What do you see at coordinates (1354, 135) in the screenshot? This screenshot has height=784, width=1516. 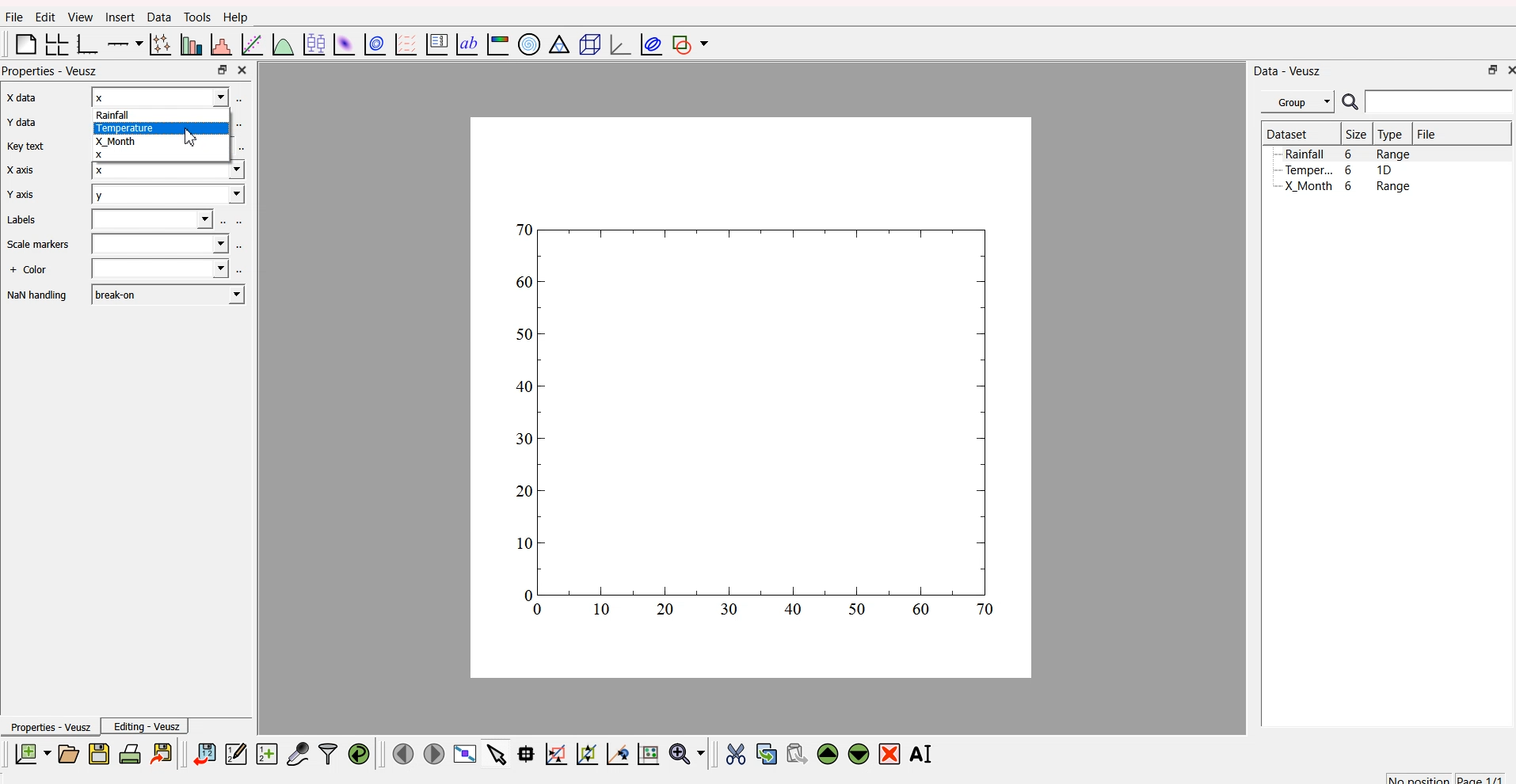 I see `| Size` at bounding box center [1354, 135].